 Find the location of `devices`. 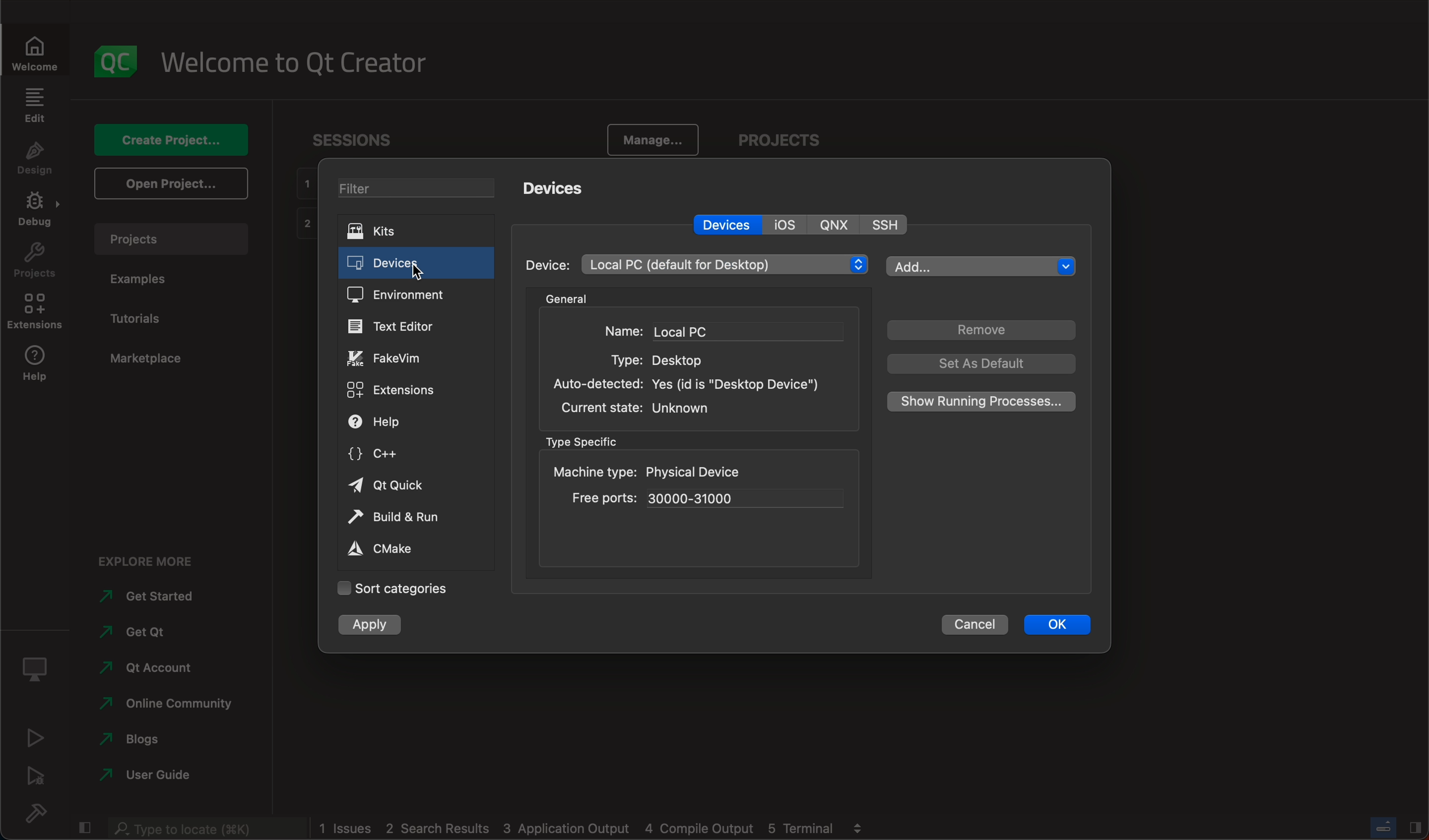

devices is located at coordinates (418, 261).